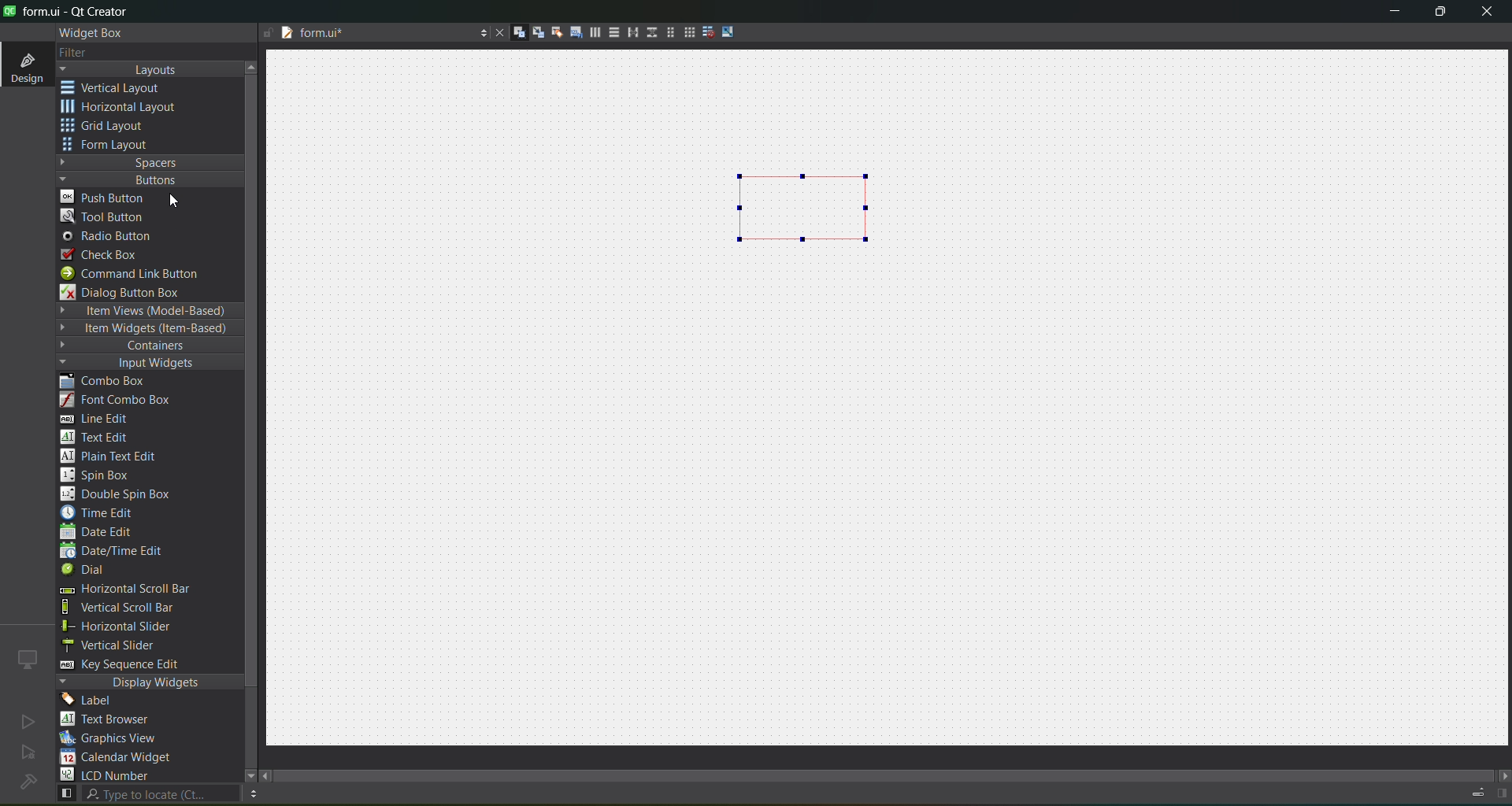  I want to click on combo box, so click(114, 382).